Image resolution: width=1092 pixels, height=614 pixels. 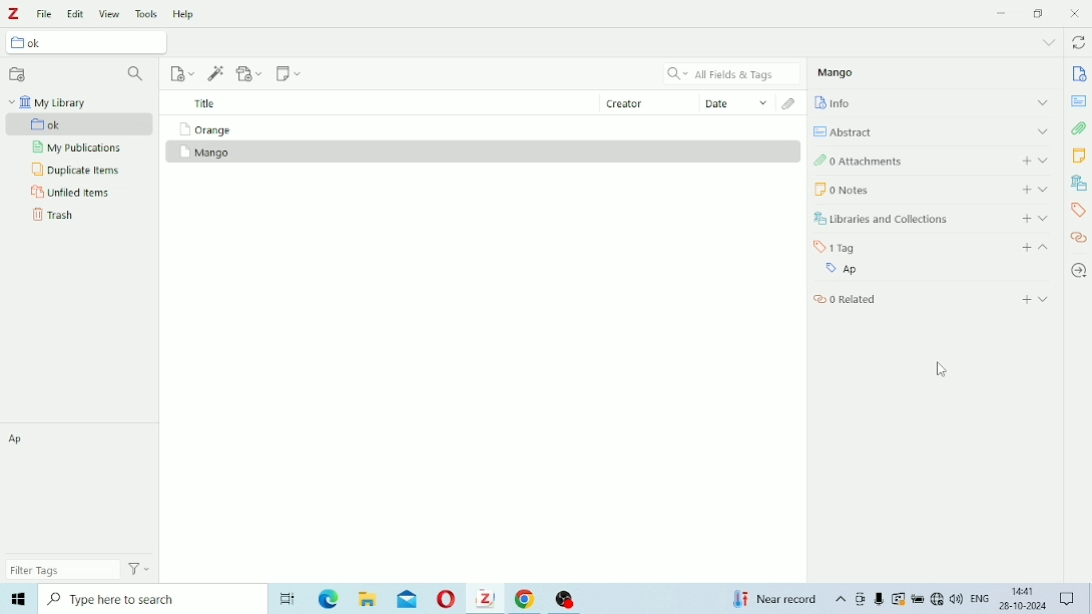 I want to click on Date, so click(x=737, y=103).